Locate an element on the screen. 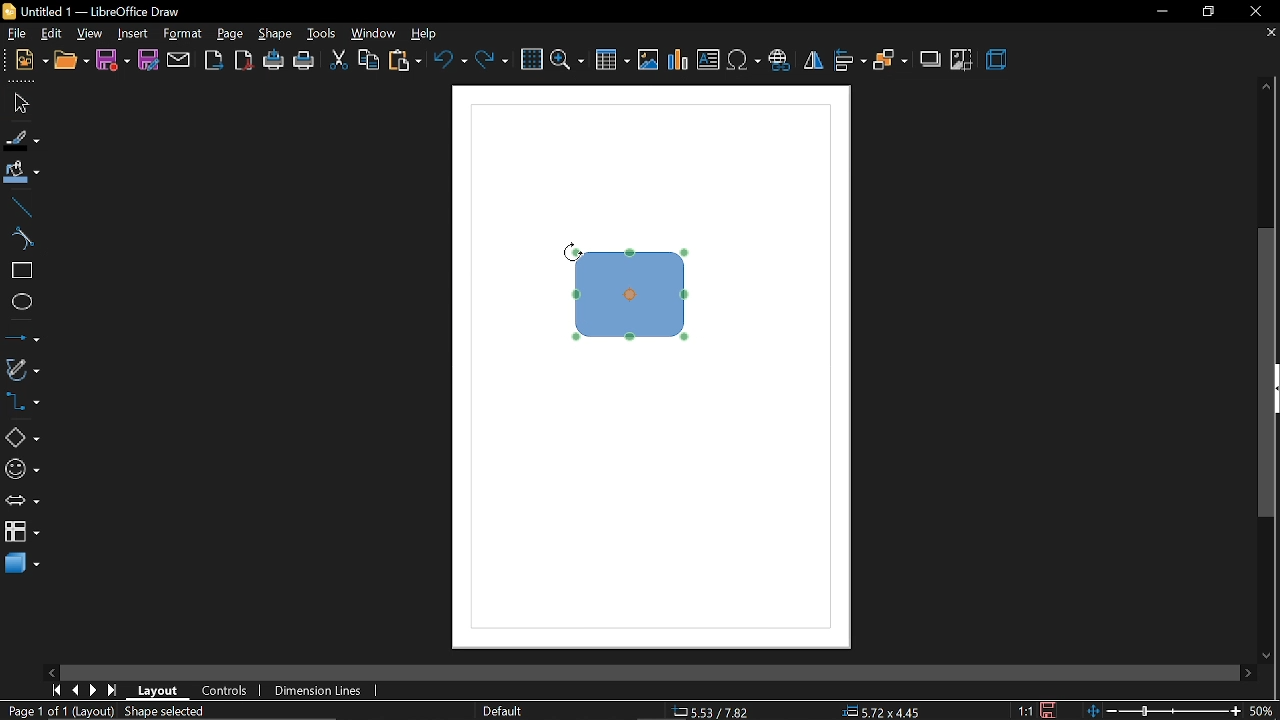  previous page is located at coordinates (73, 691).